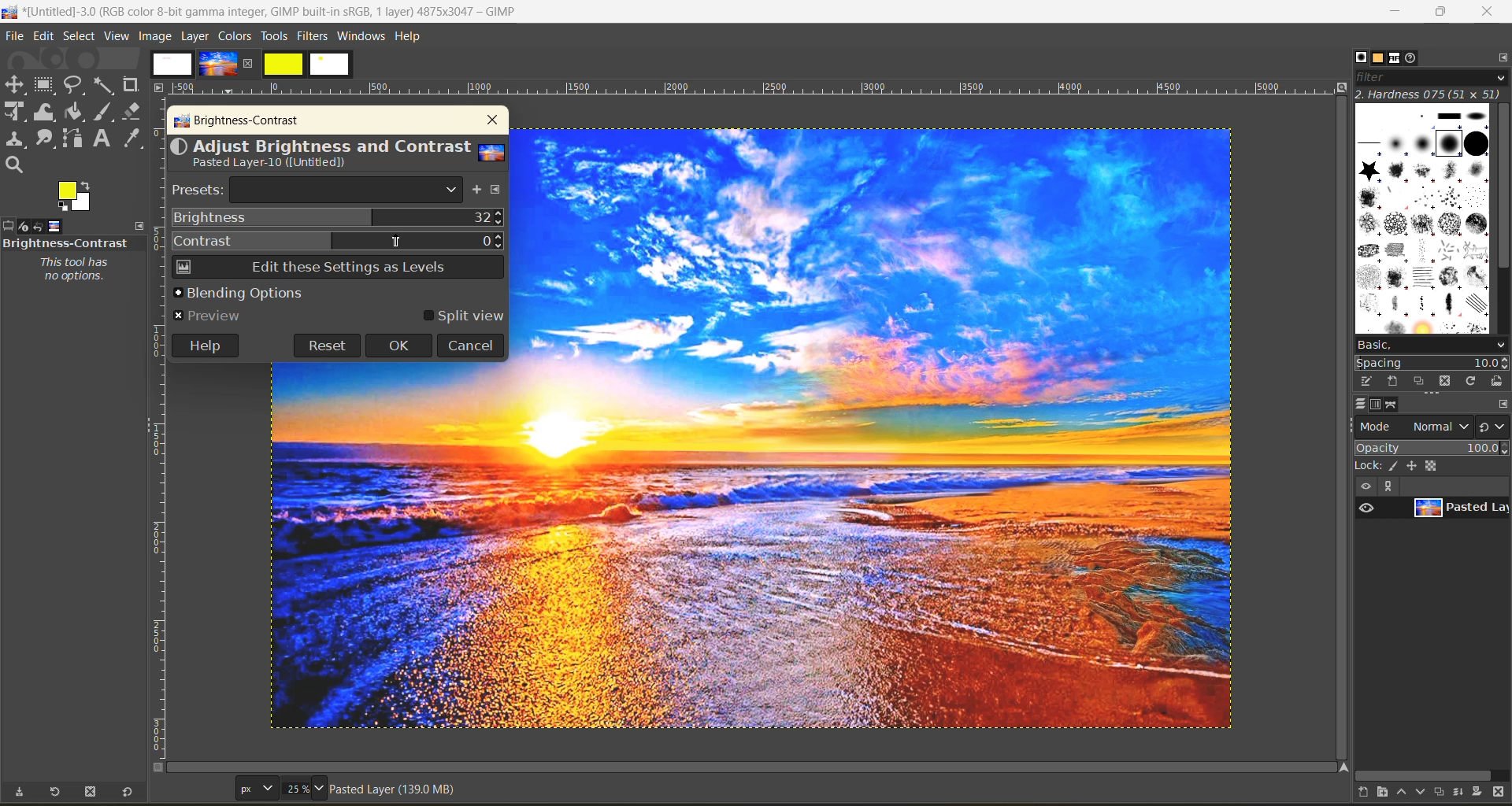 The height and width of the screenshot is (806, 1512). I want to click on filter, so click(1432, 77).